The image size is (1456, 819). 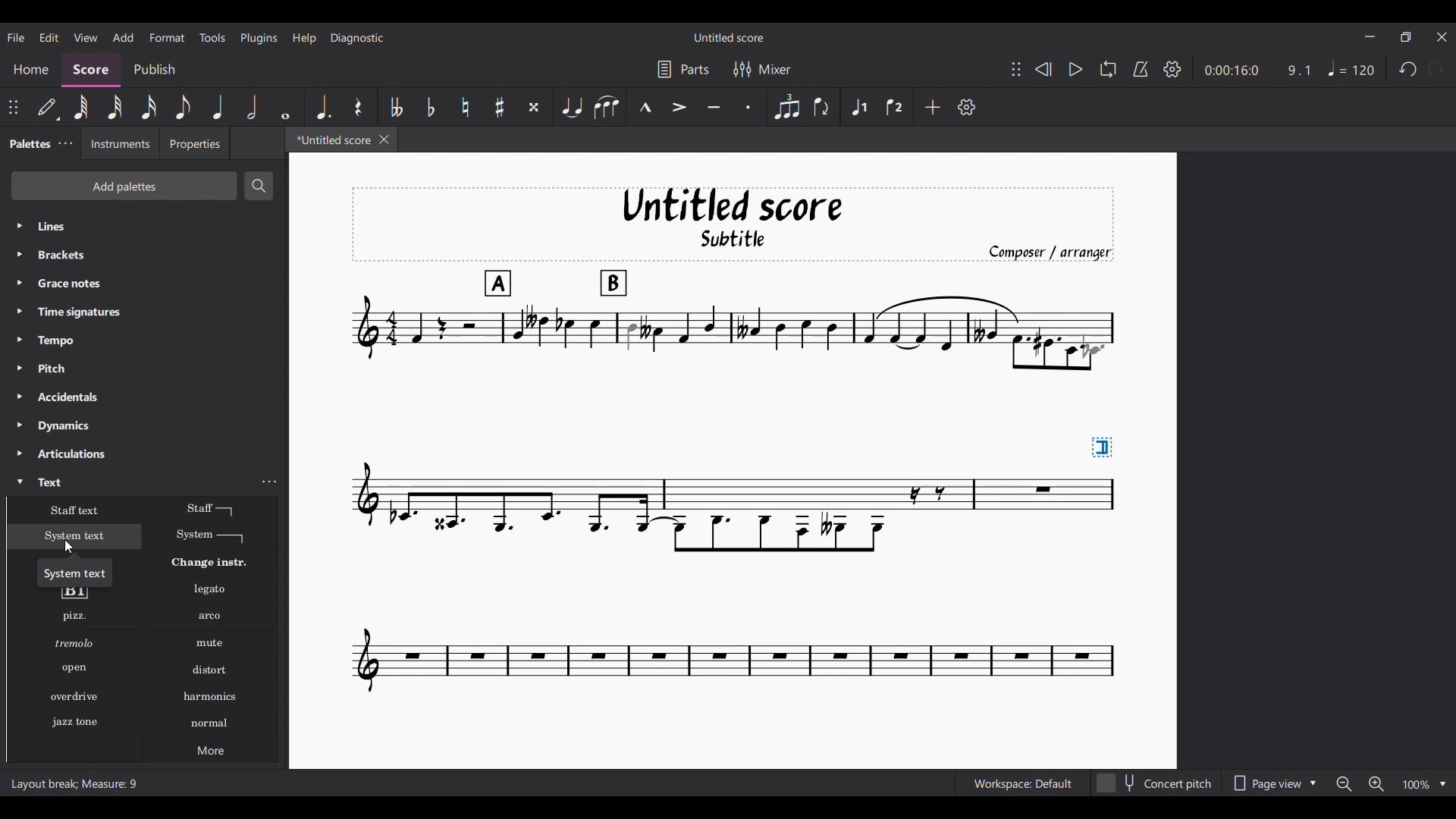 What do you see at coordinates (130, 481) in the screenshot?
I see `Text, highlighted by cursor` at bounding box center [130, 481].